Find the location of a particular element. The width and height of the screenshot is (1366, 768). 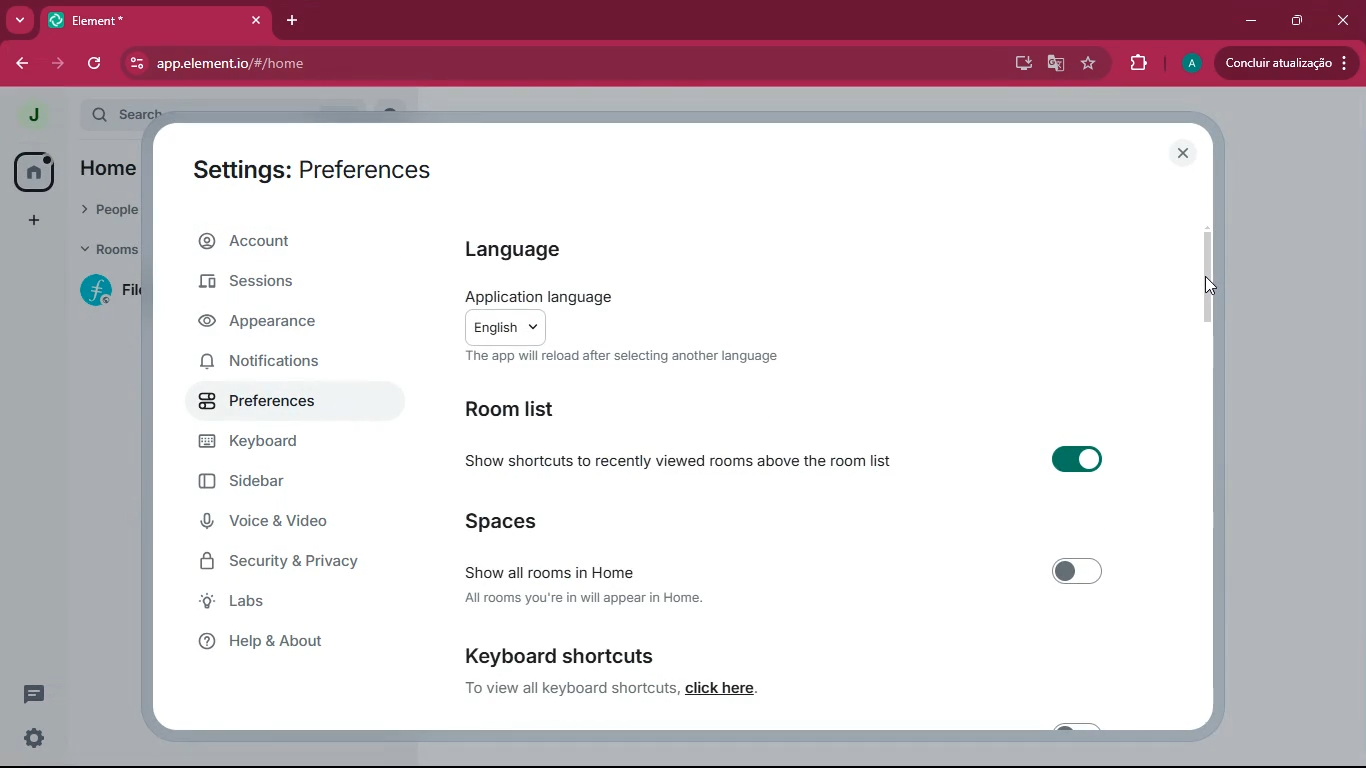

scroll bar is located at coordinates (1208, 278).